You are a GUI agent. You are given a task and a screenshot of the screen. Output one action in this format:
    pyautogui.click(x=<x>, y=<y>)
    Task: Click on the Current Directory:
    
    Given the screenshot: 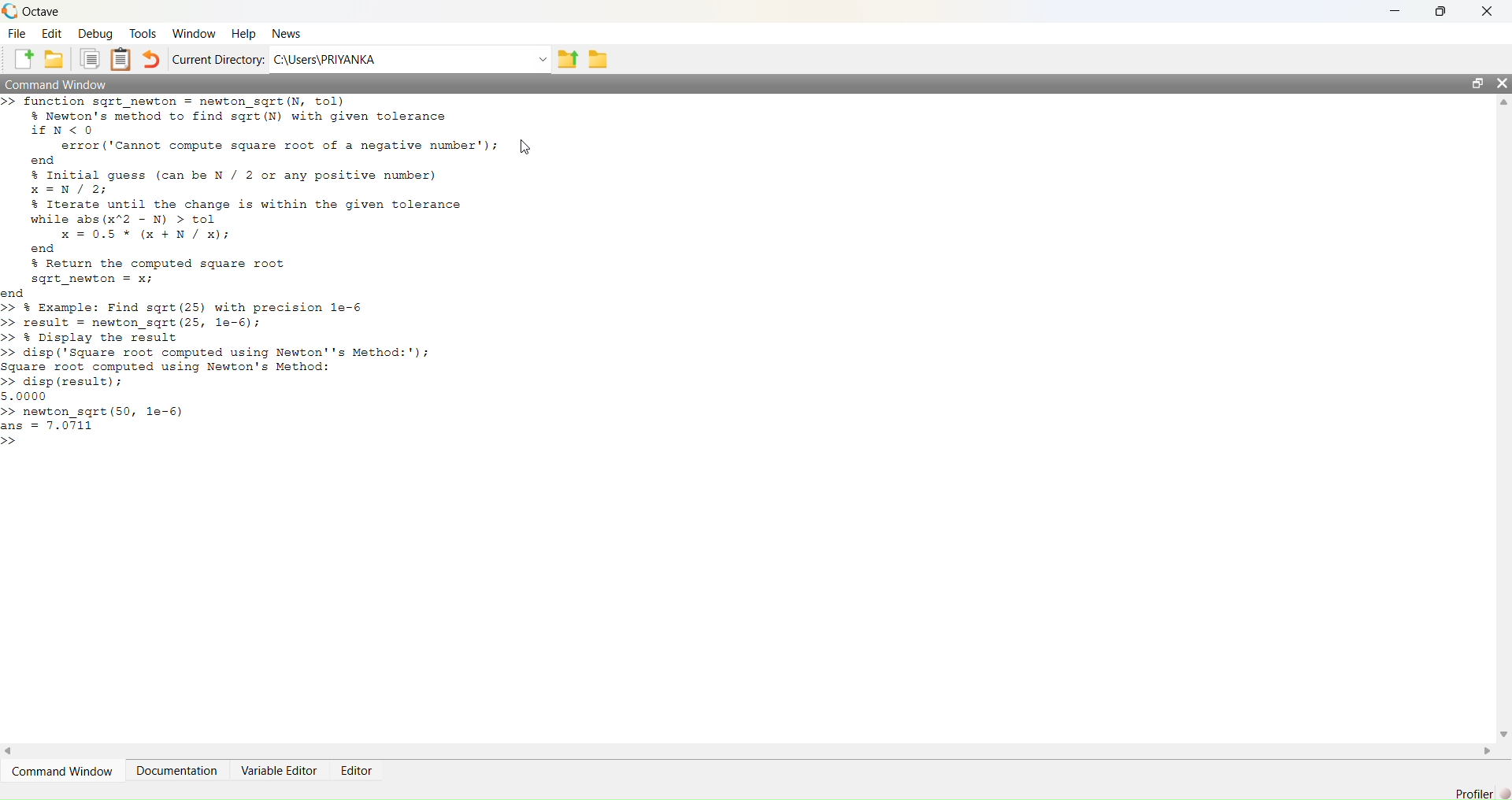 What is the action you would take?
    pyautogui.click(x=220, y=59)
    